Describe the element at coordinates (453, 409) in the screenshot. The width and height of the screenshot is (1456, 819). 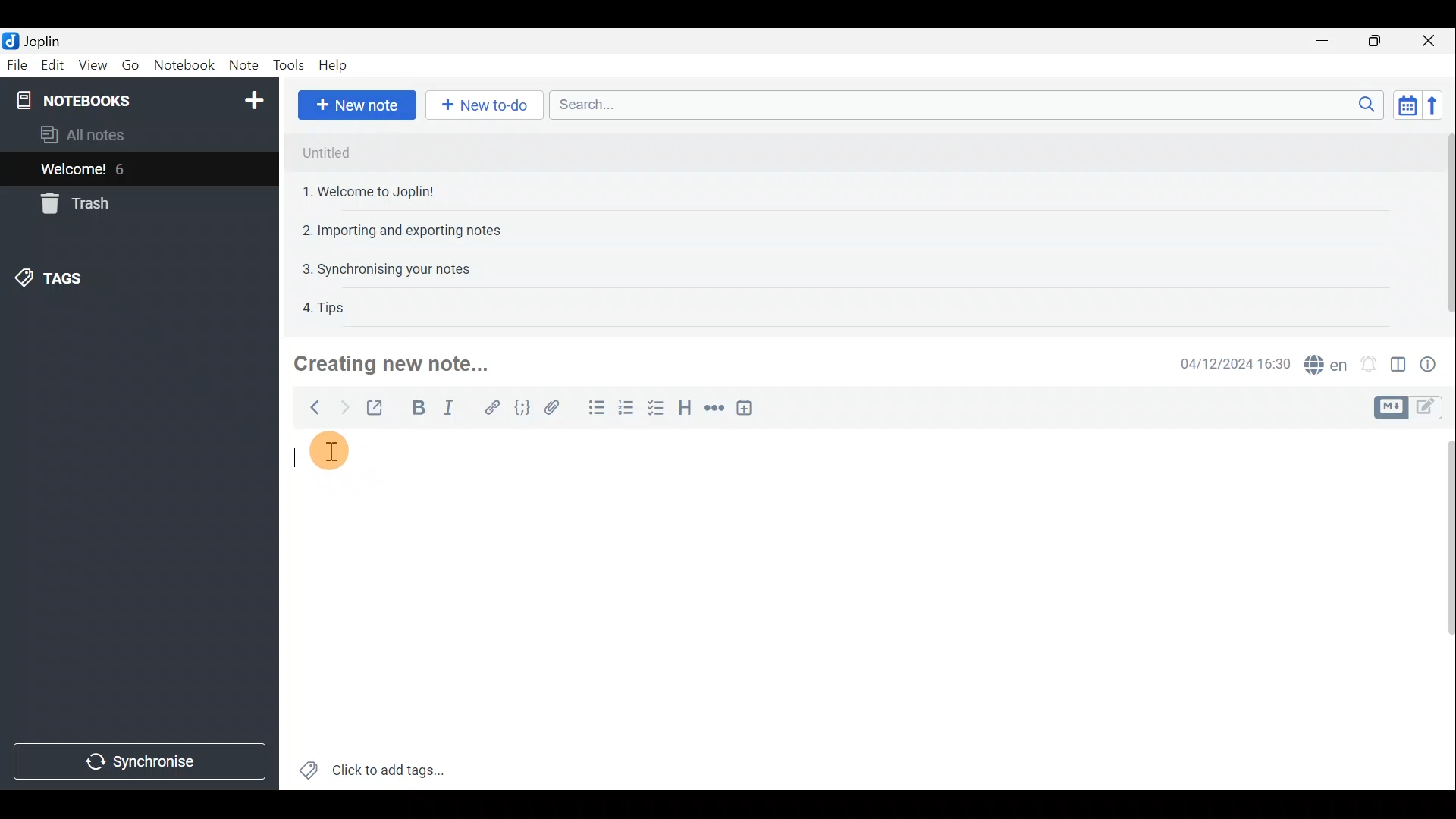
I see `Italic` at that location.